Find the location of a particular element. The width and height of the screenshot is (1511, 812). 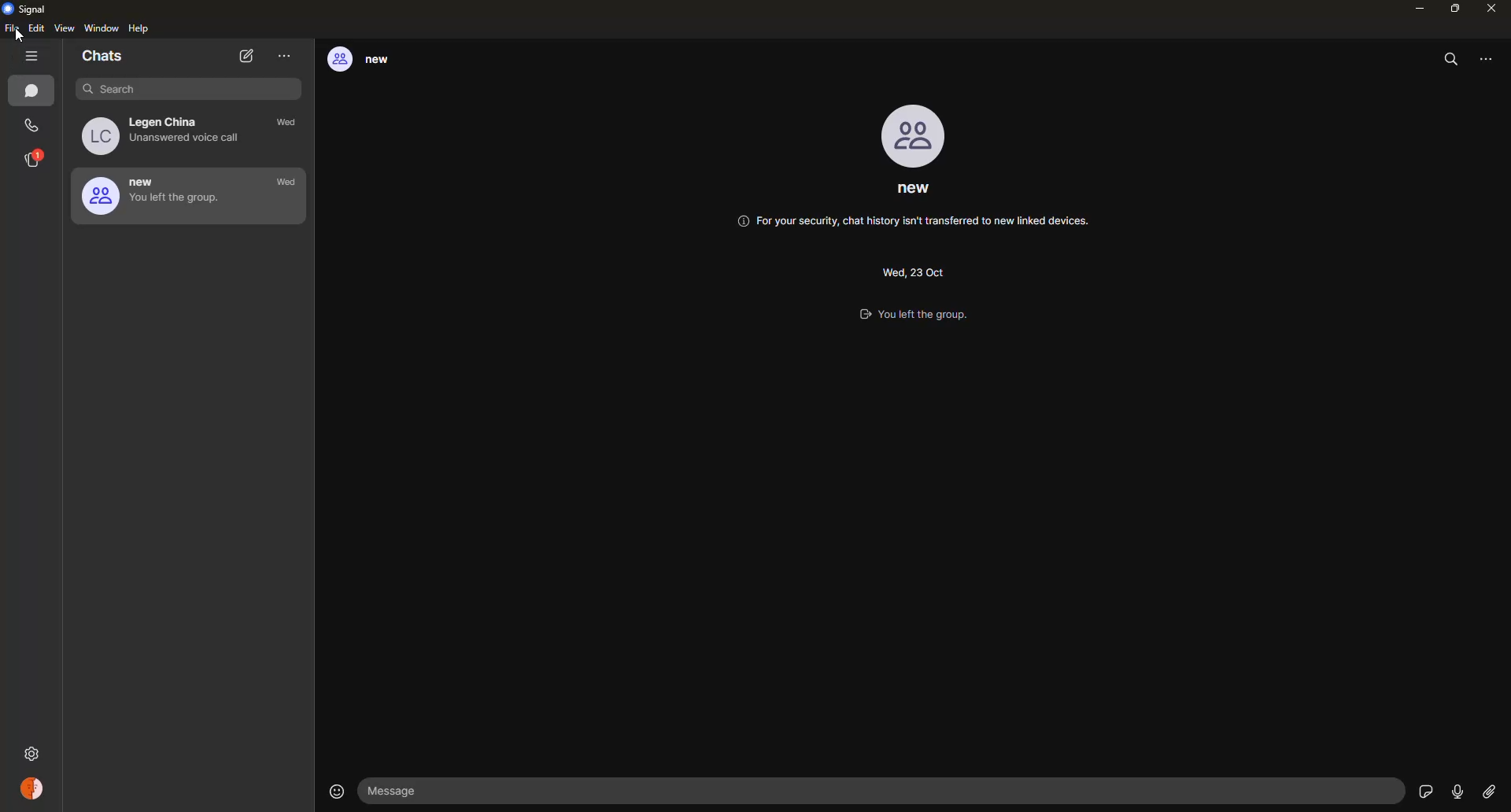

wed is located at coordinates (286, 183).